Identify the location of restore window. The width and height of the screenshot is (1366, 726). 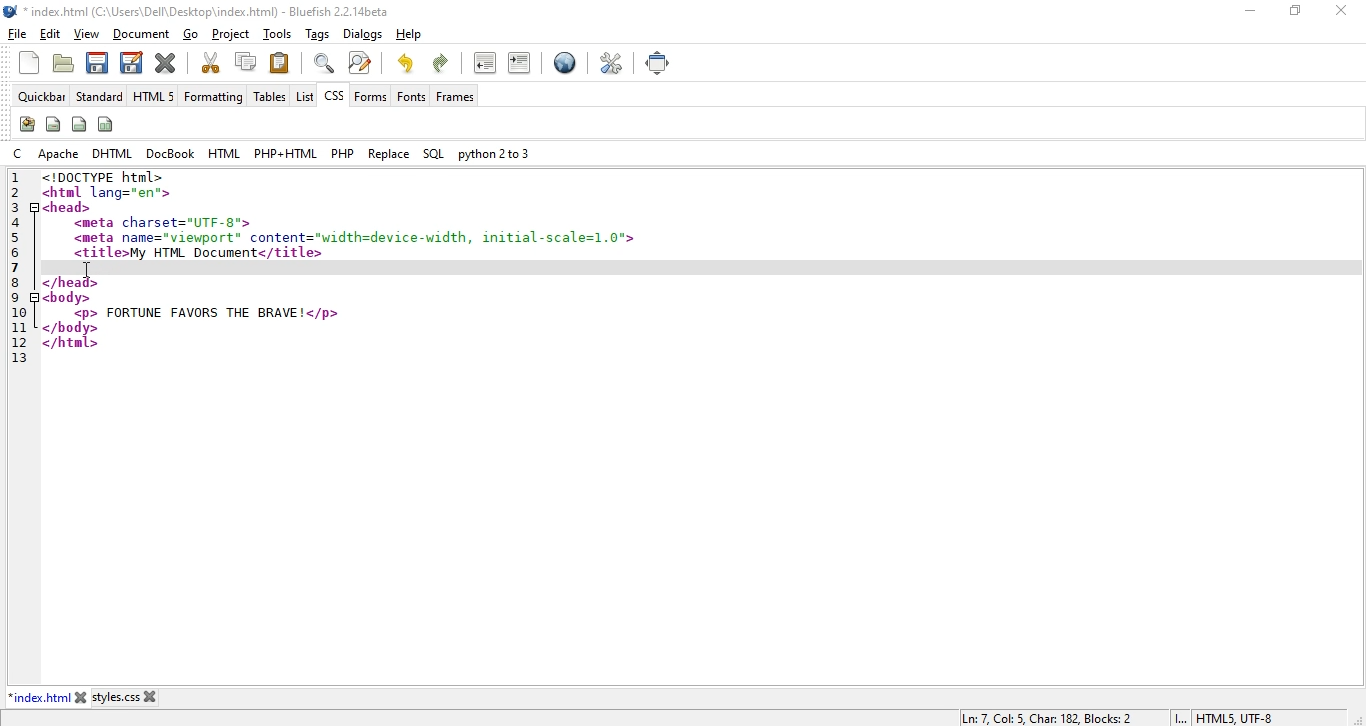
(1292, 13).